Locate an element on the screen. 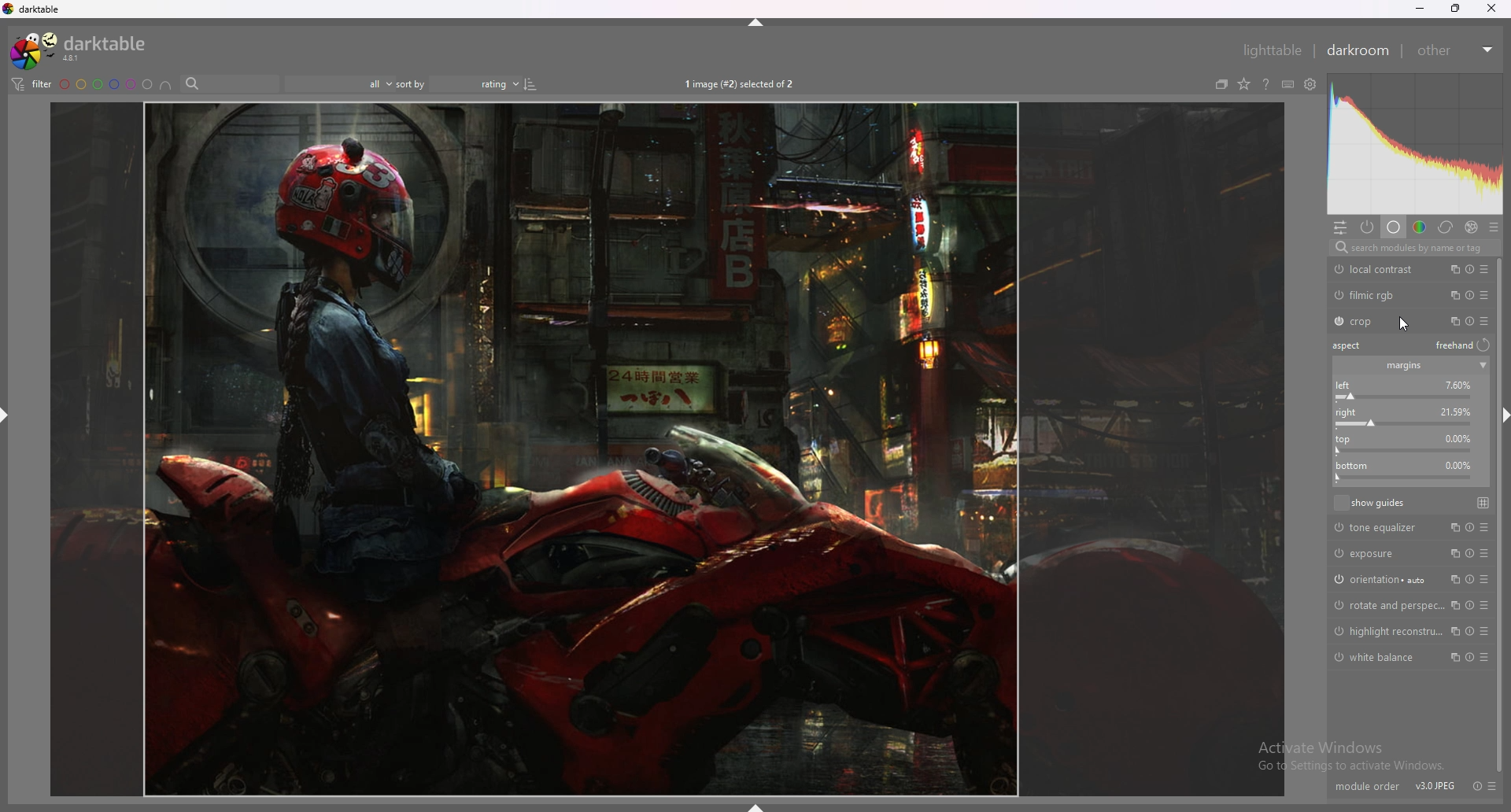 The width and height of the screenshot is (1511, 812). collapse is located at coordinates (1483, 366).